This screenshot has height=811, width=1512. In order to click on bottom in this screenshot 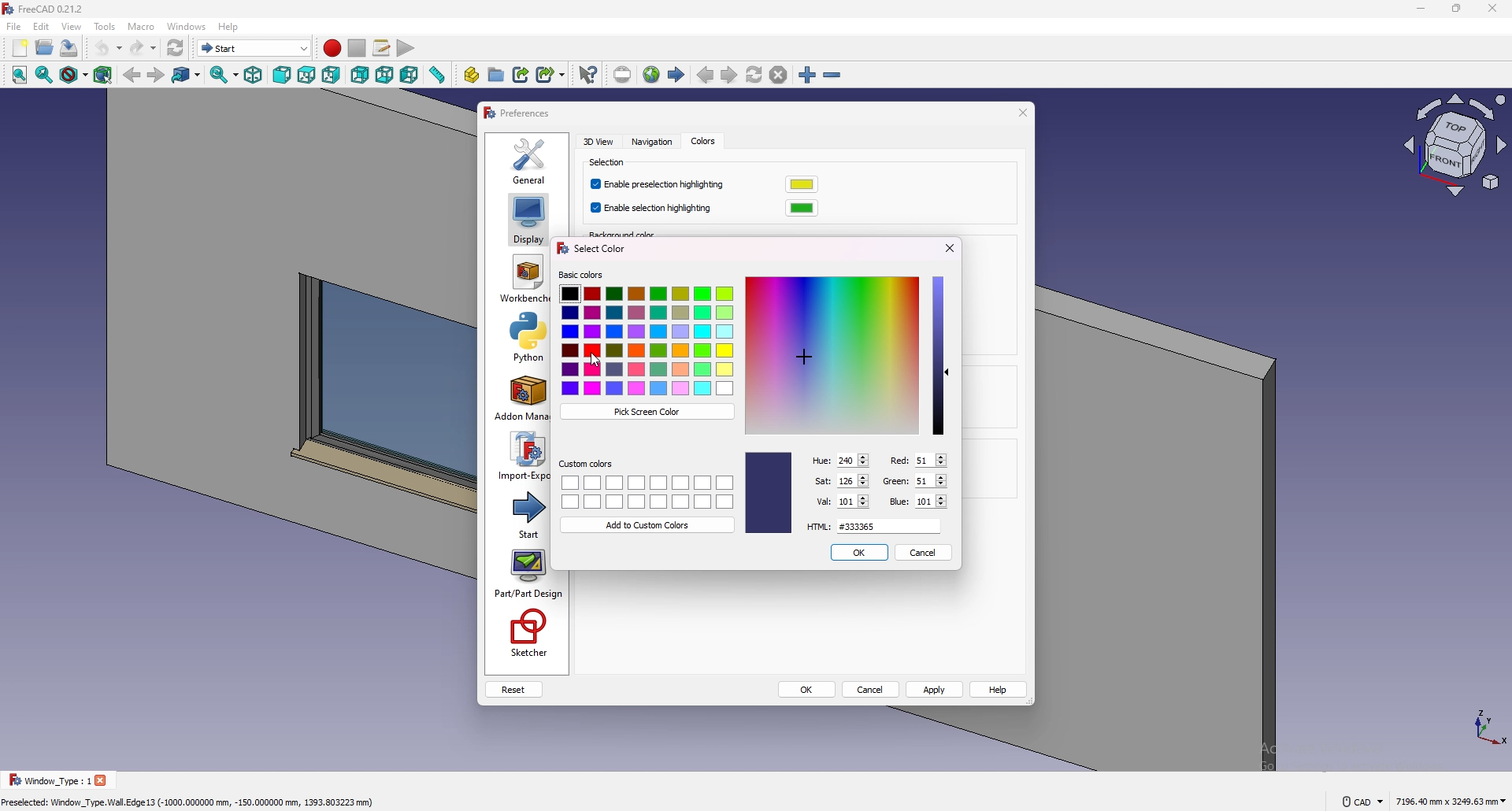, I will do `click(385, 76)`.